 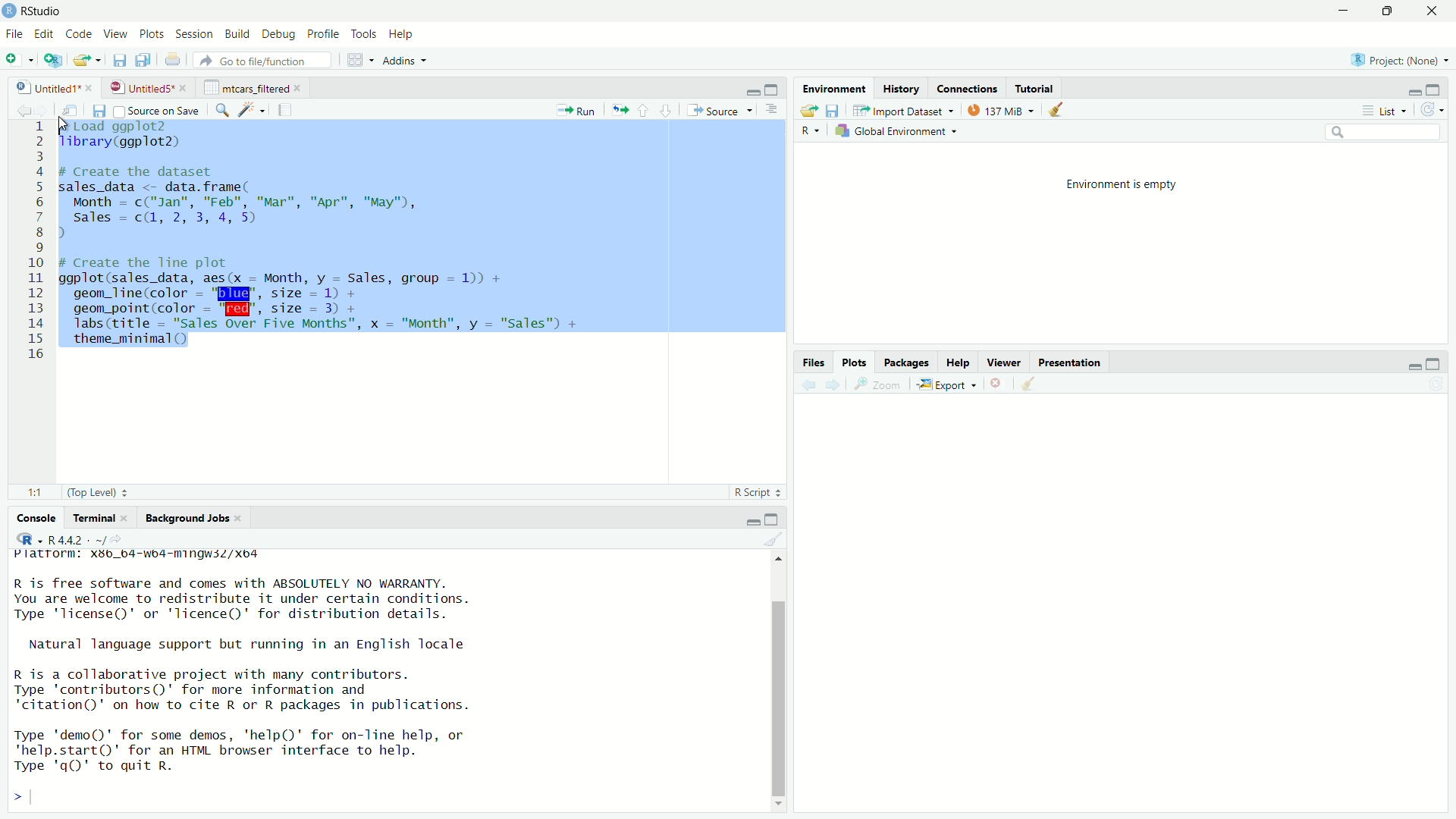 I want to click on print current file, so click(x=174, y=61).